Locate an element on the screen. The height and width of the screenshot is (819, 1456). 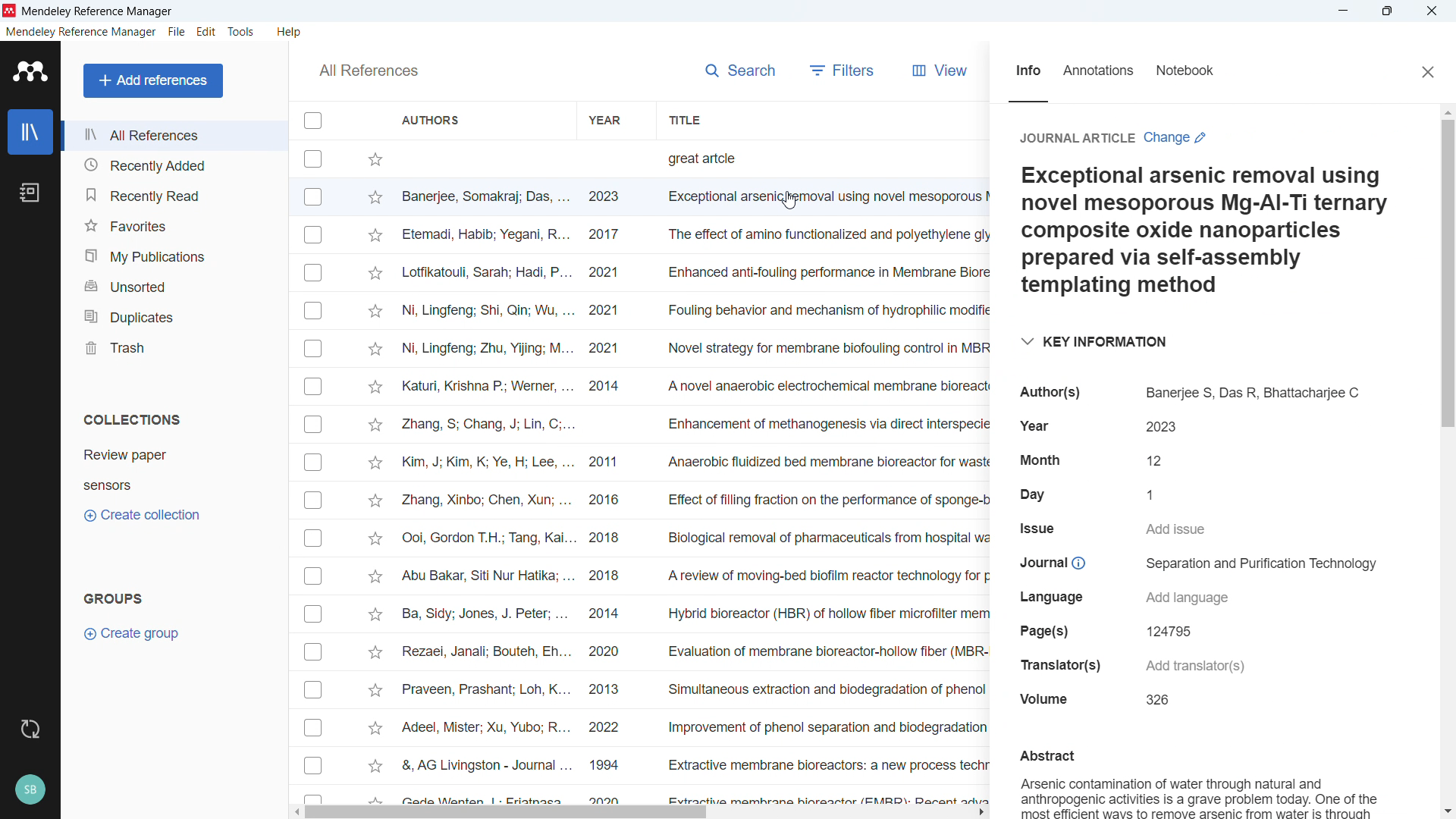
volume  is located at coordinates (1158, 700).